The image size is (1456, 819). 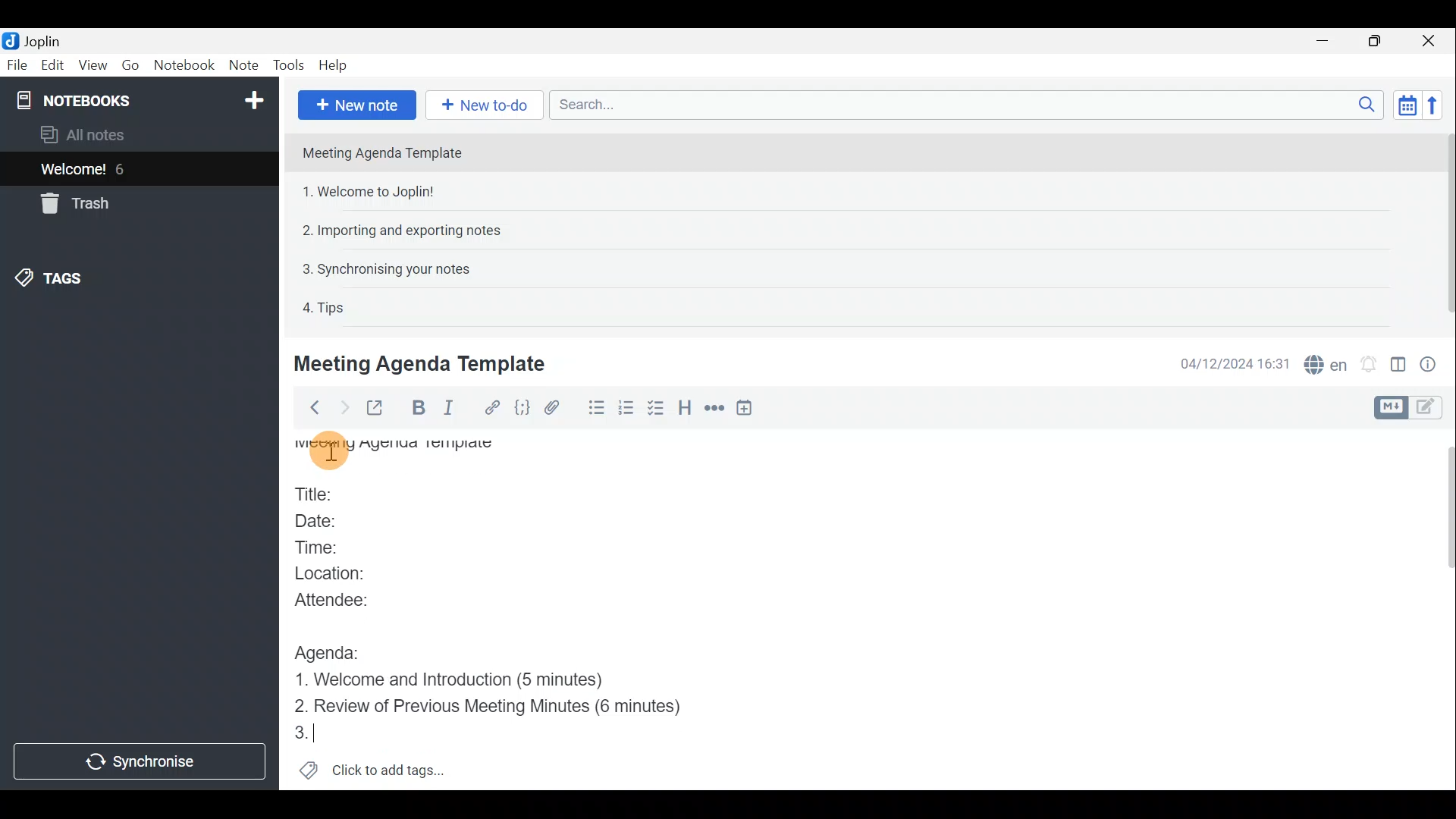 I want to click on Location:, so click(x=343, y=575).